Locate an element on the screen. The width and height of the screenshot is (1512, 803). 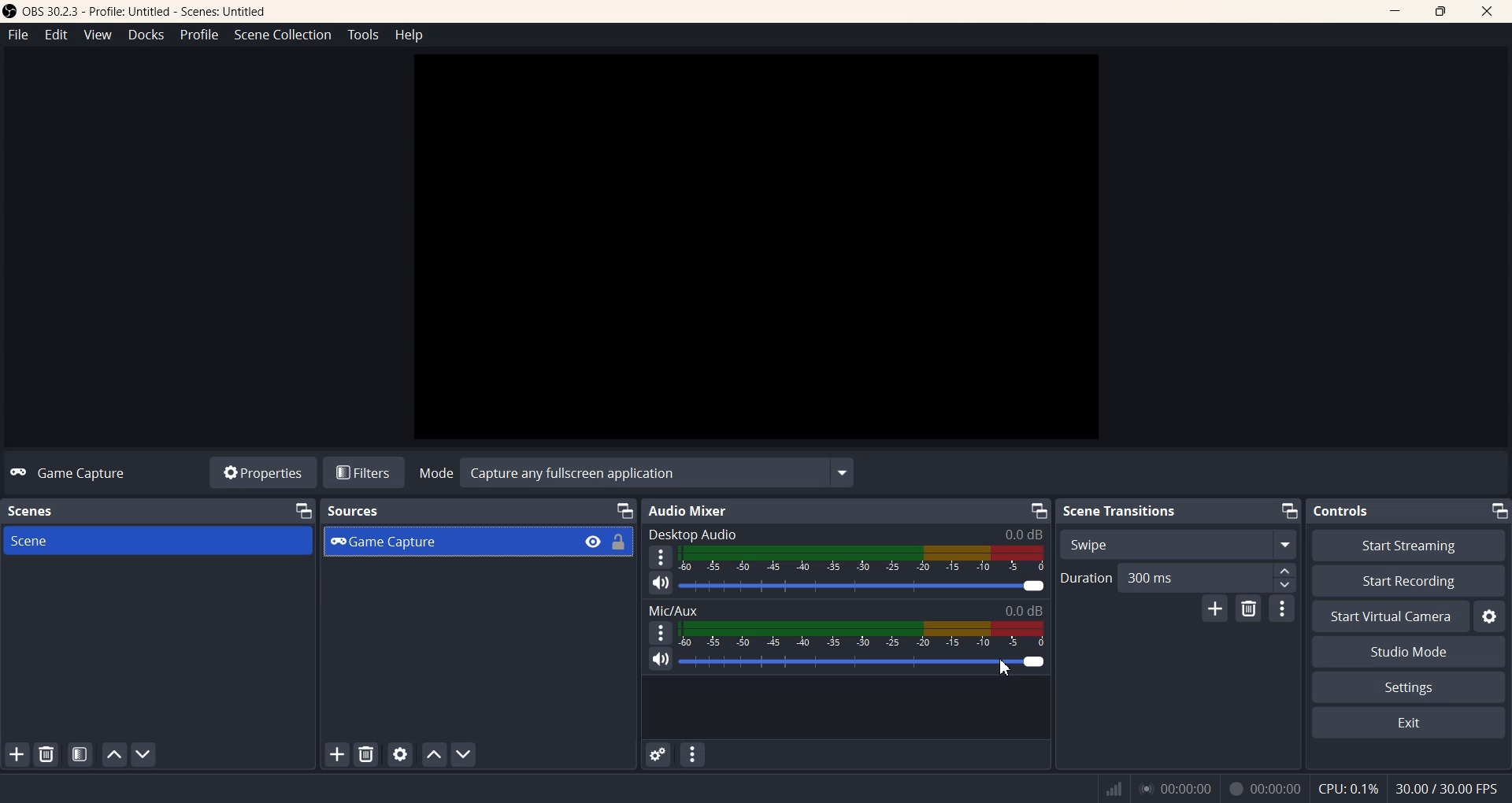
Remove Sources is located at coordinates (366, 753).